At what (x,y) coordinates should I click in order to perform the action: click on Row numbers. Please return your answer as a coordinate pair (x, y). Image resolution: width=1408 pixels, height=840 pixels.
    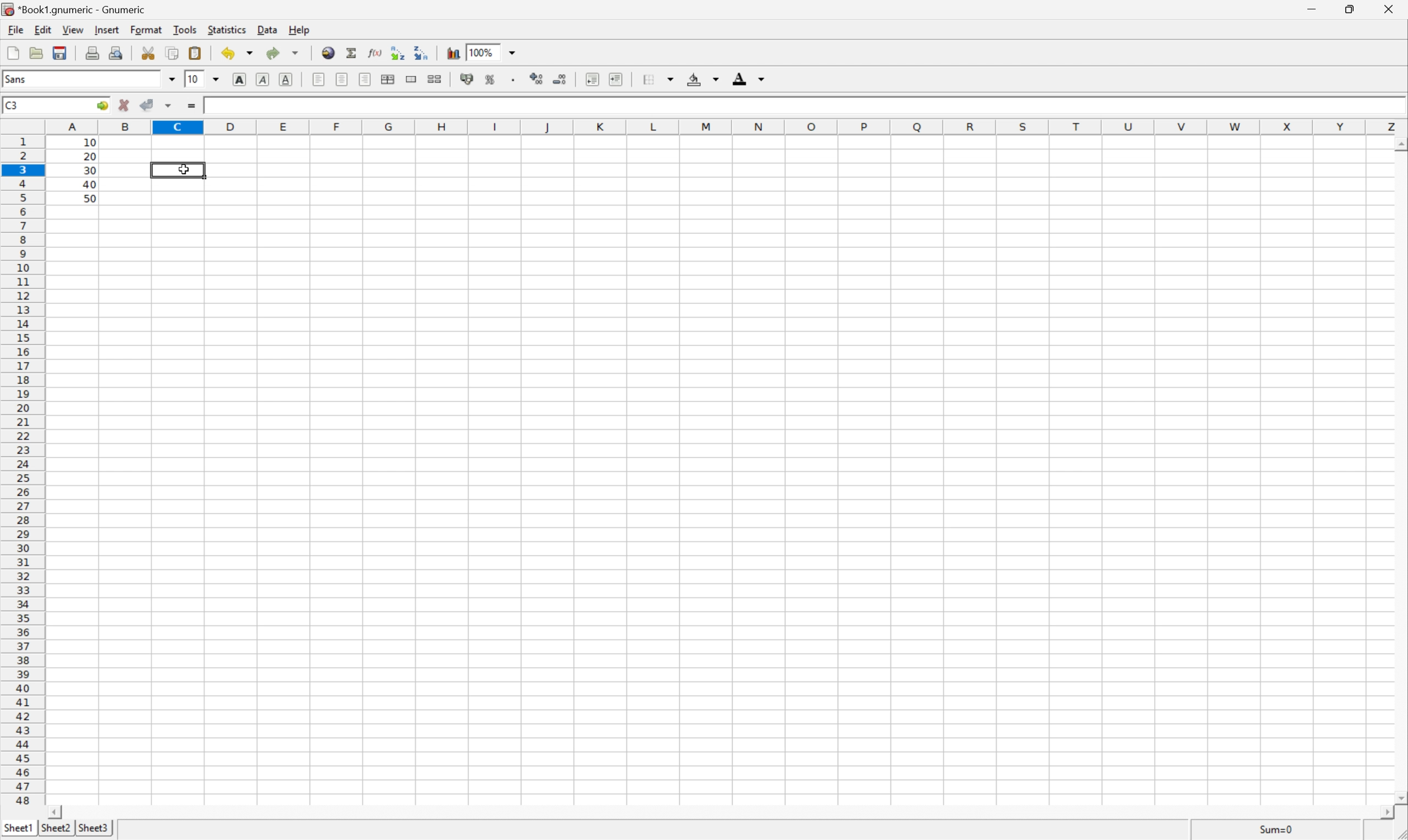
    Looking at the image, I should click on (21, 470).